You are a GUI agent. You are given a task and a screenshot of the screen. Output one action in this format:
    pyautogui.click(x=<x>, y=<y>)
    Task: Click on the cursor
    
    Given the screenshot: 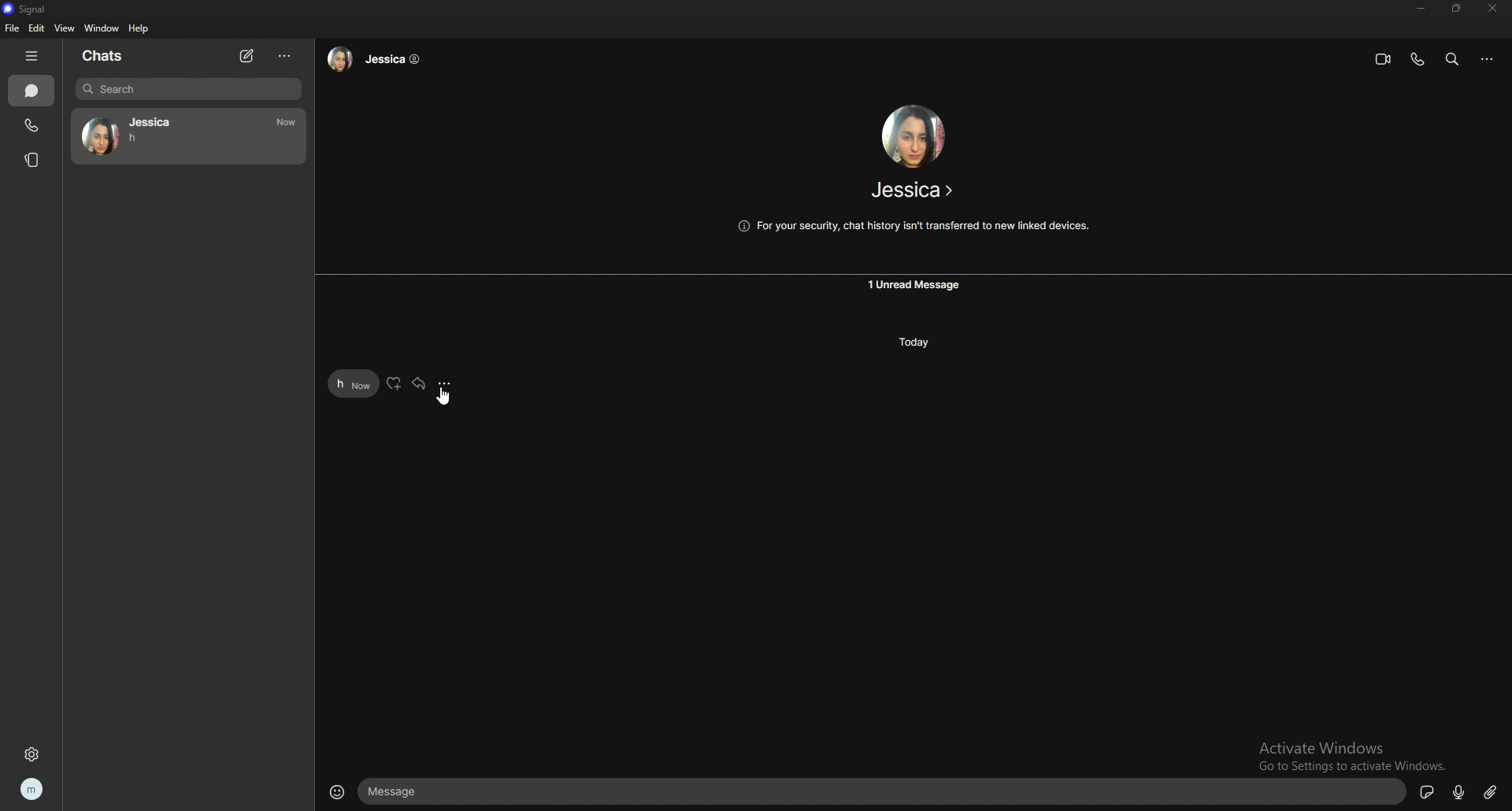 What is the action you would take?
    pyautogui.click(x=444, y=396)
    